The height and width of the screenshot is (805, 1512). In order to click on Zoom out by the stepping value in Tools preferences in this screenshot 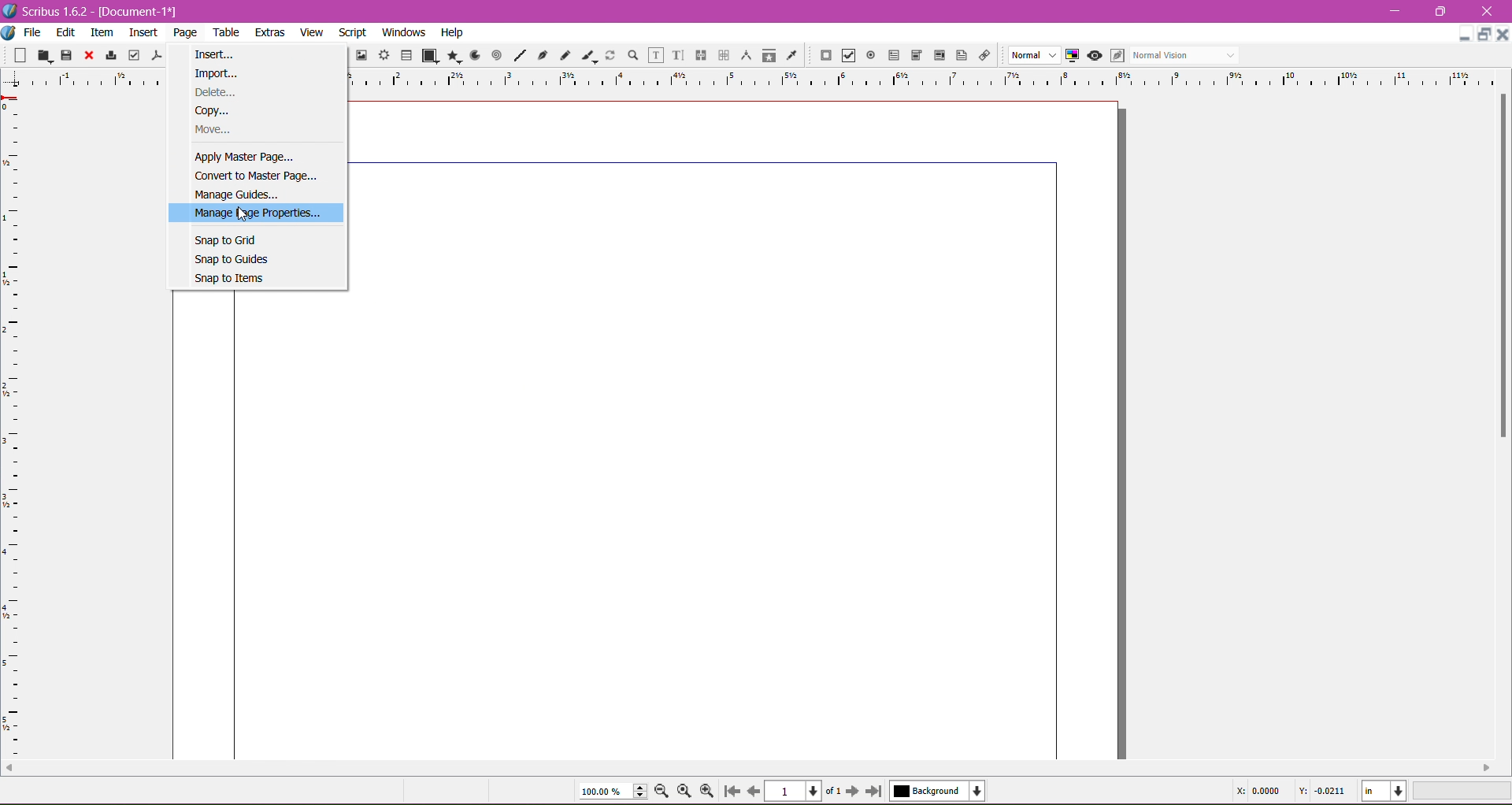, I will do `click(662, 792)`.